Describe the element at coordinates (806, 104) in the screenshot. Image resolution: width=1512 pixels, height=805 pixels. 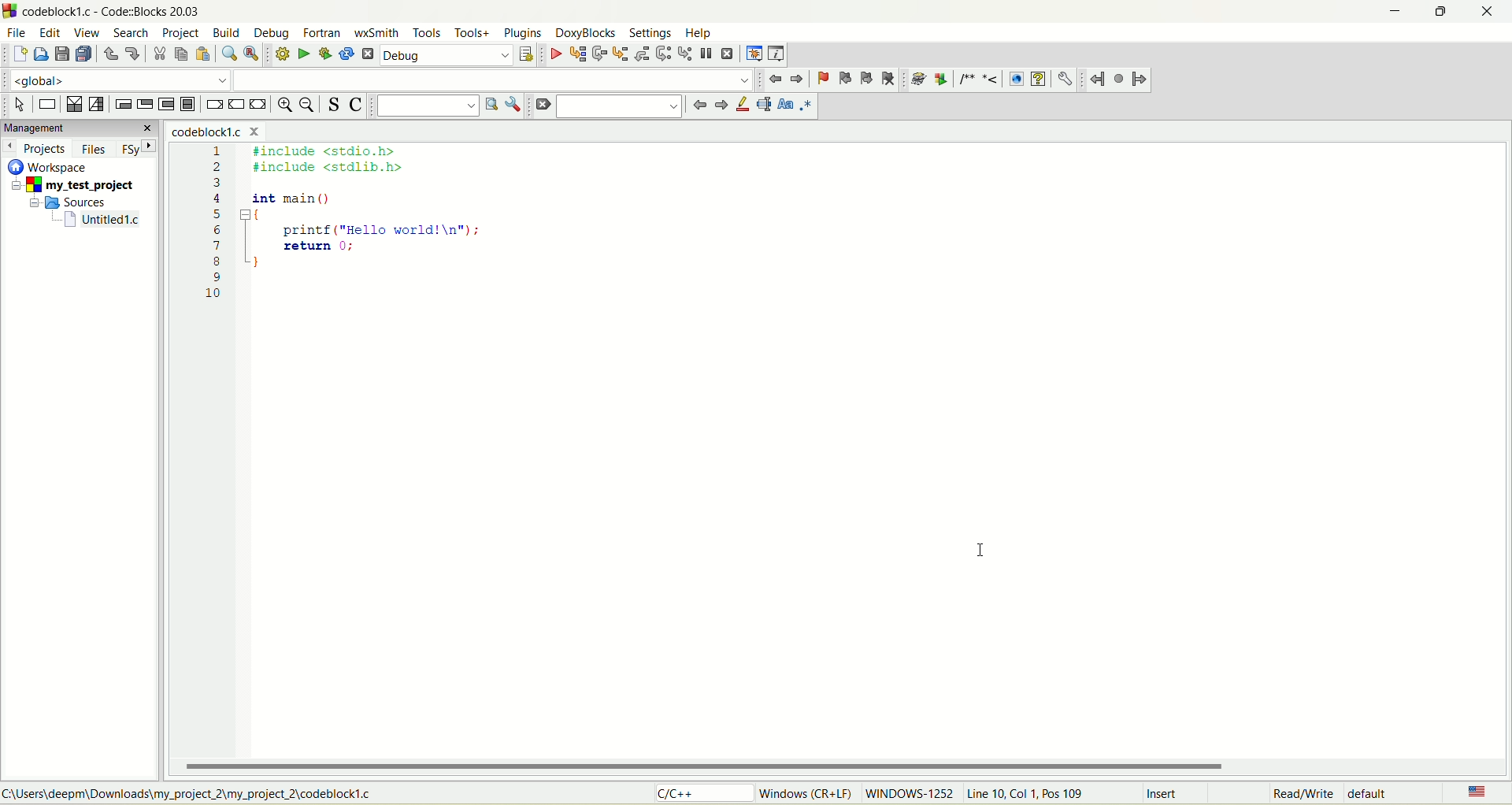
I see `regex` at that location.